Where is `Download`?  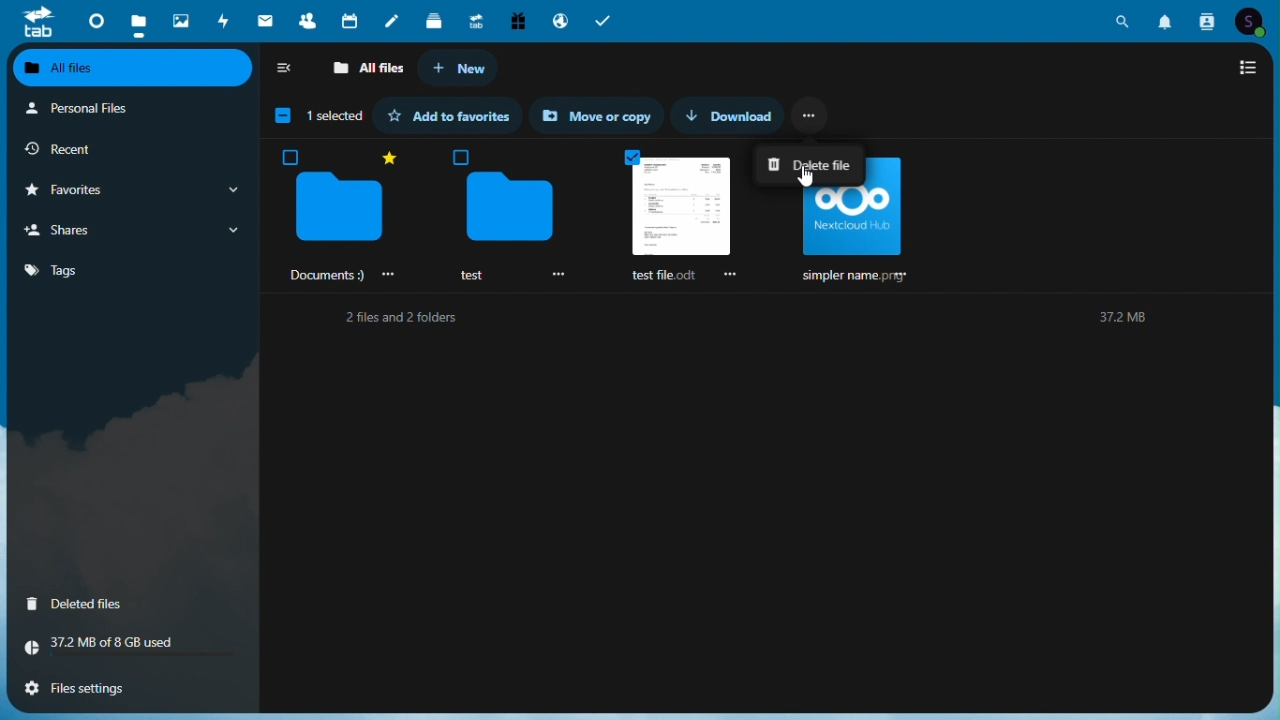
Download is located at coordinates (727, 118).